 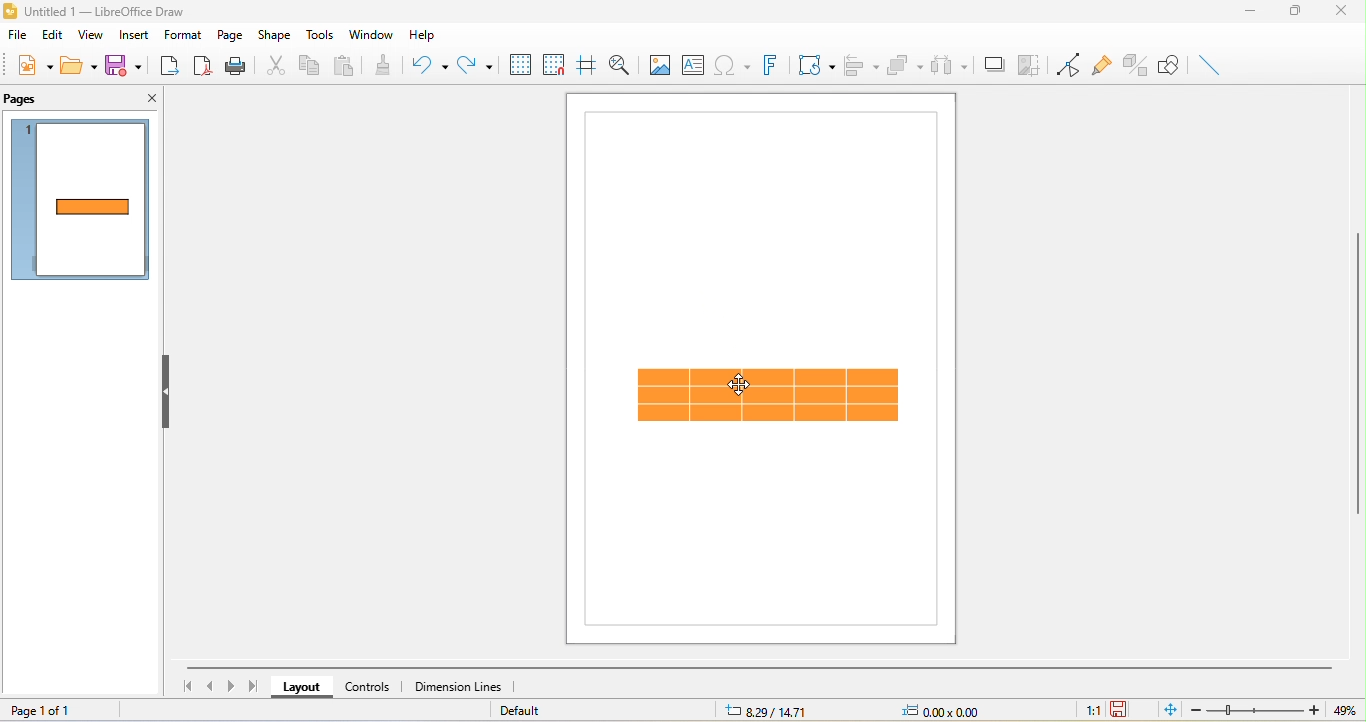 I want to click on open, so click(x=82, y=66).